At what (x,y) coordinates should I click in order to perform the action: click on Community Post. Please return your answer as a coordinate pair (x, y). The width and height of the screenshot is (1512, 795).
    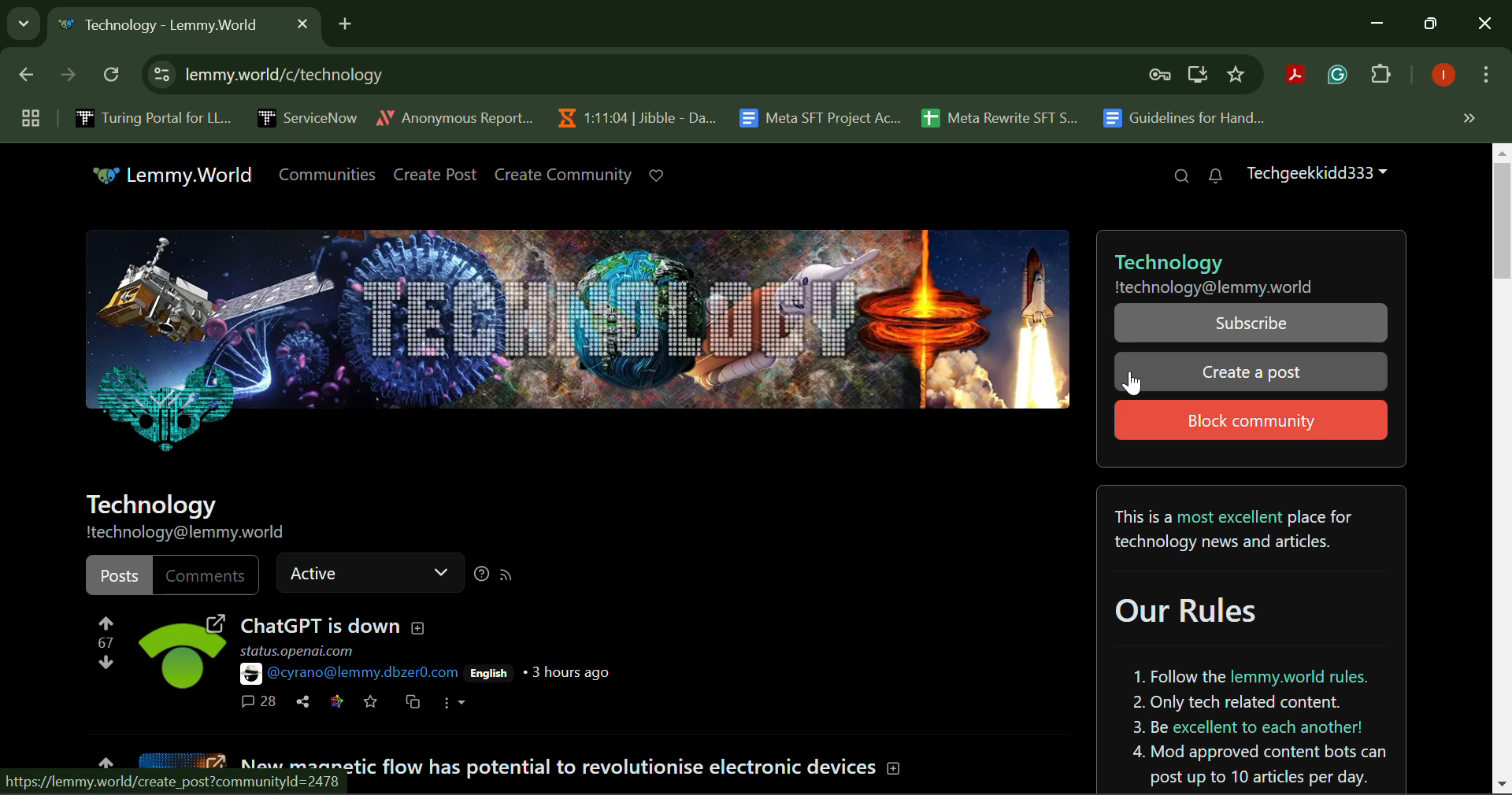
    Looking at the image, I should click on (518, 751).